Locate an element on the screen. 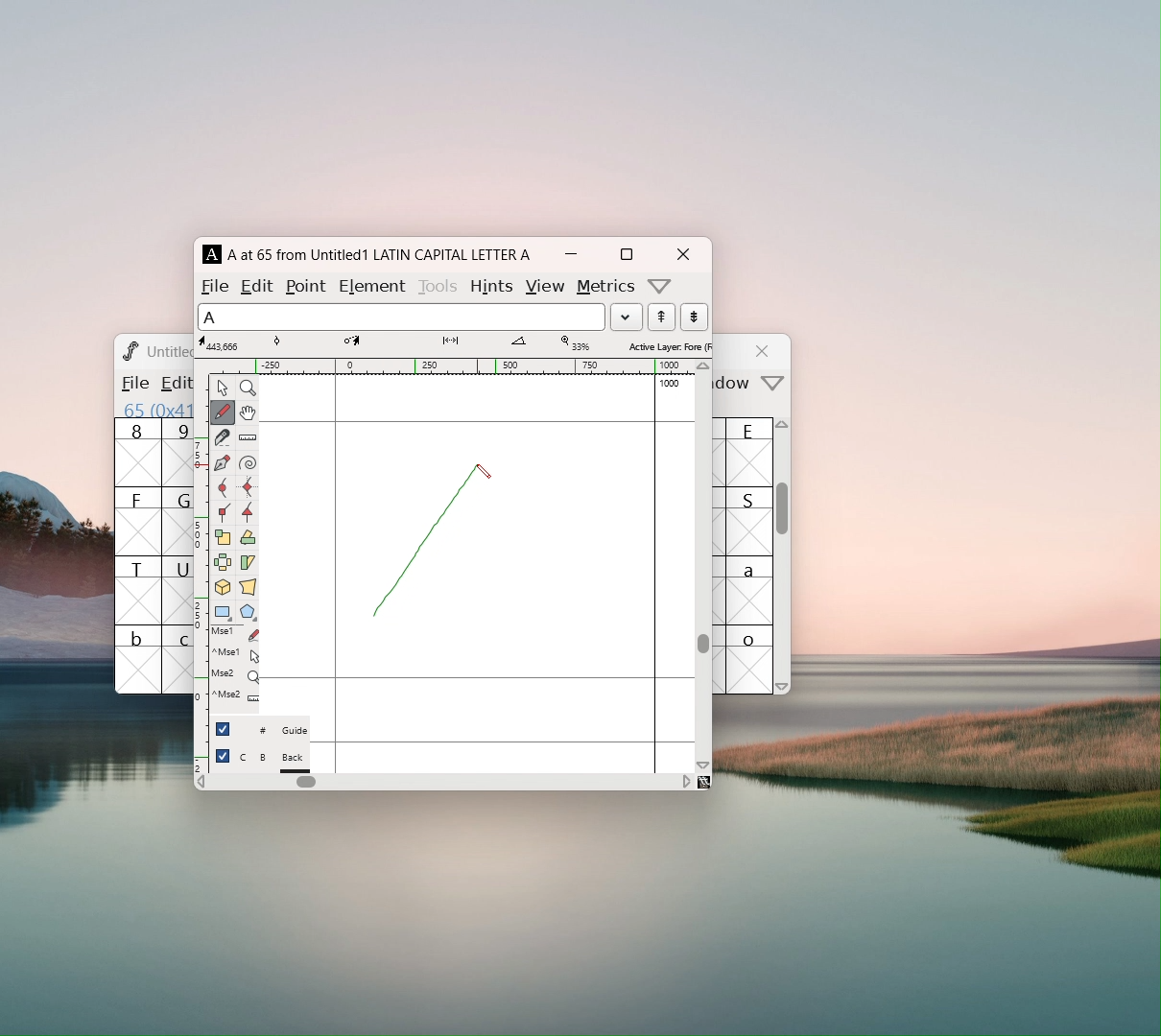  metrics is located at coordinates (606, 287).